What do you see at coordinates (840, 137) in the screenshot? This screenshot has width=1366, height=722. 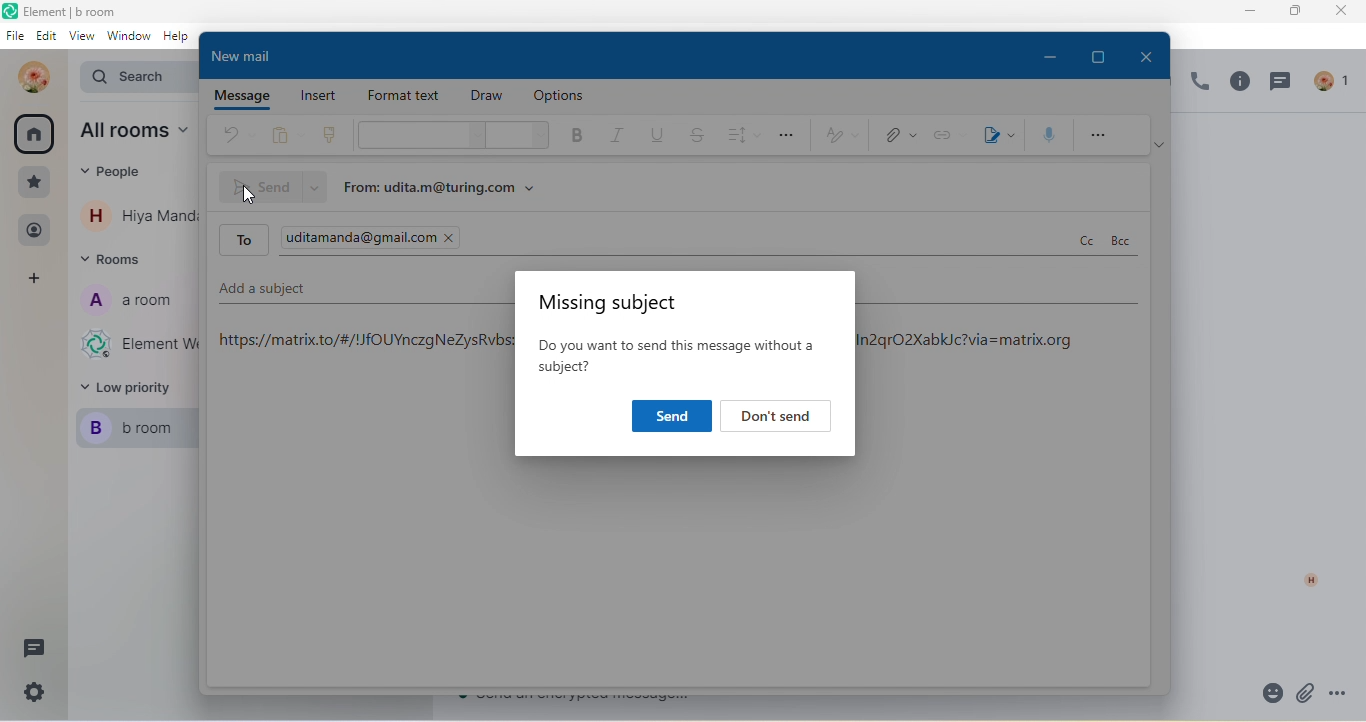 I see `style` at bounding box center [840, 137].